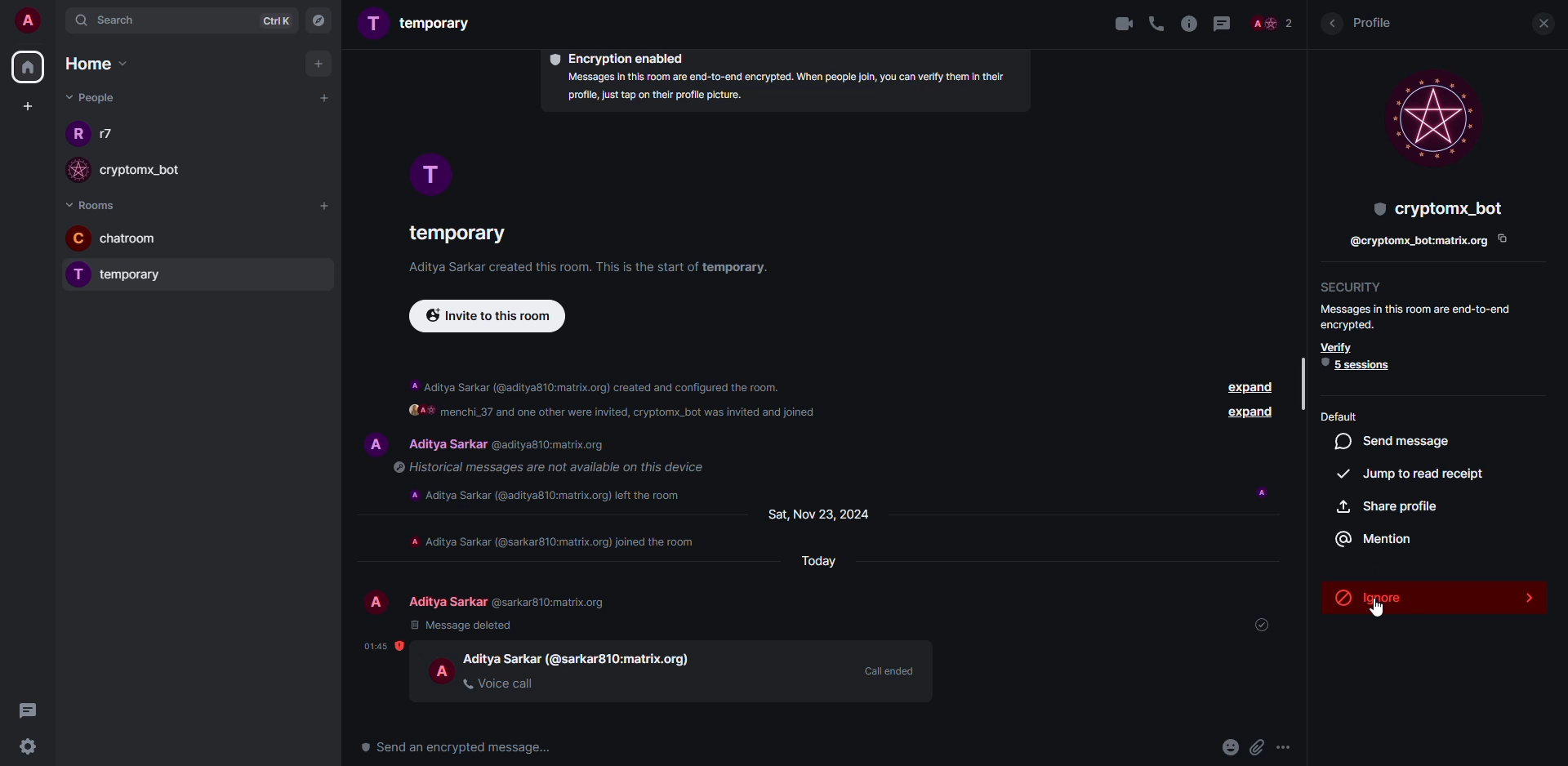 This screenshot has width=1568, height=766. What do you see at coordinates (1258, 748) in the screenshot?
I see `attach` at bounding box center [1258, 748].